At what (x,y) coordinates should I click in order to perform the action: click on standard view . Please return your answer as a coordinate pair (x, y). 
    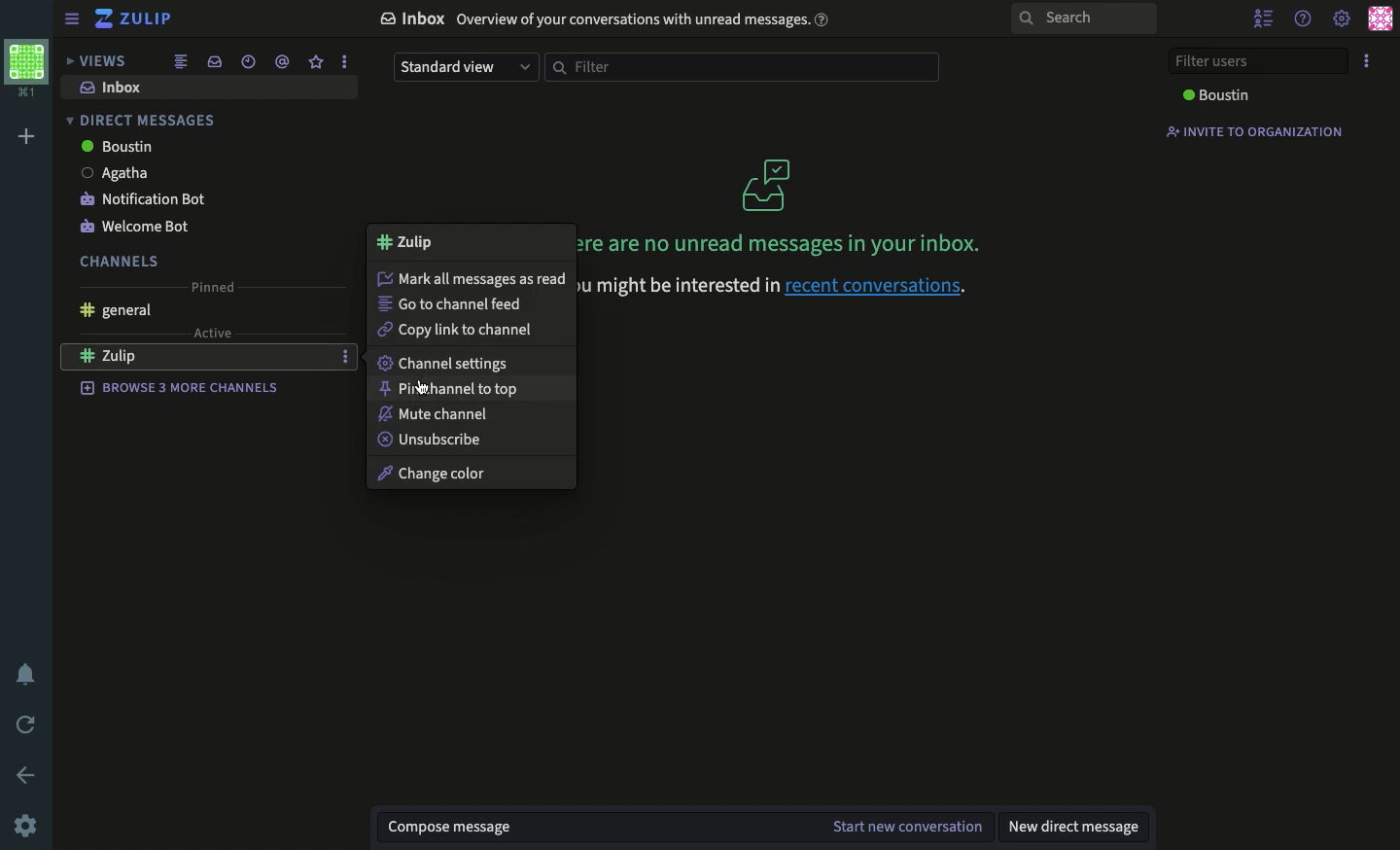
    Looking at the image, I should click on (465, 69).